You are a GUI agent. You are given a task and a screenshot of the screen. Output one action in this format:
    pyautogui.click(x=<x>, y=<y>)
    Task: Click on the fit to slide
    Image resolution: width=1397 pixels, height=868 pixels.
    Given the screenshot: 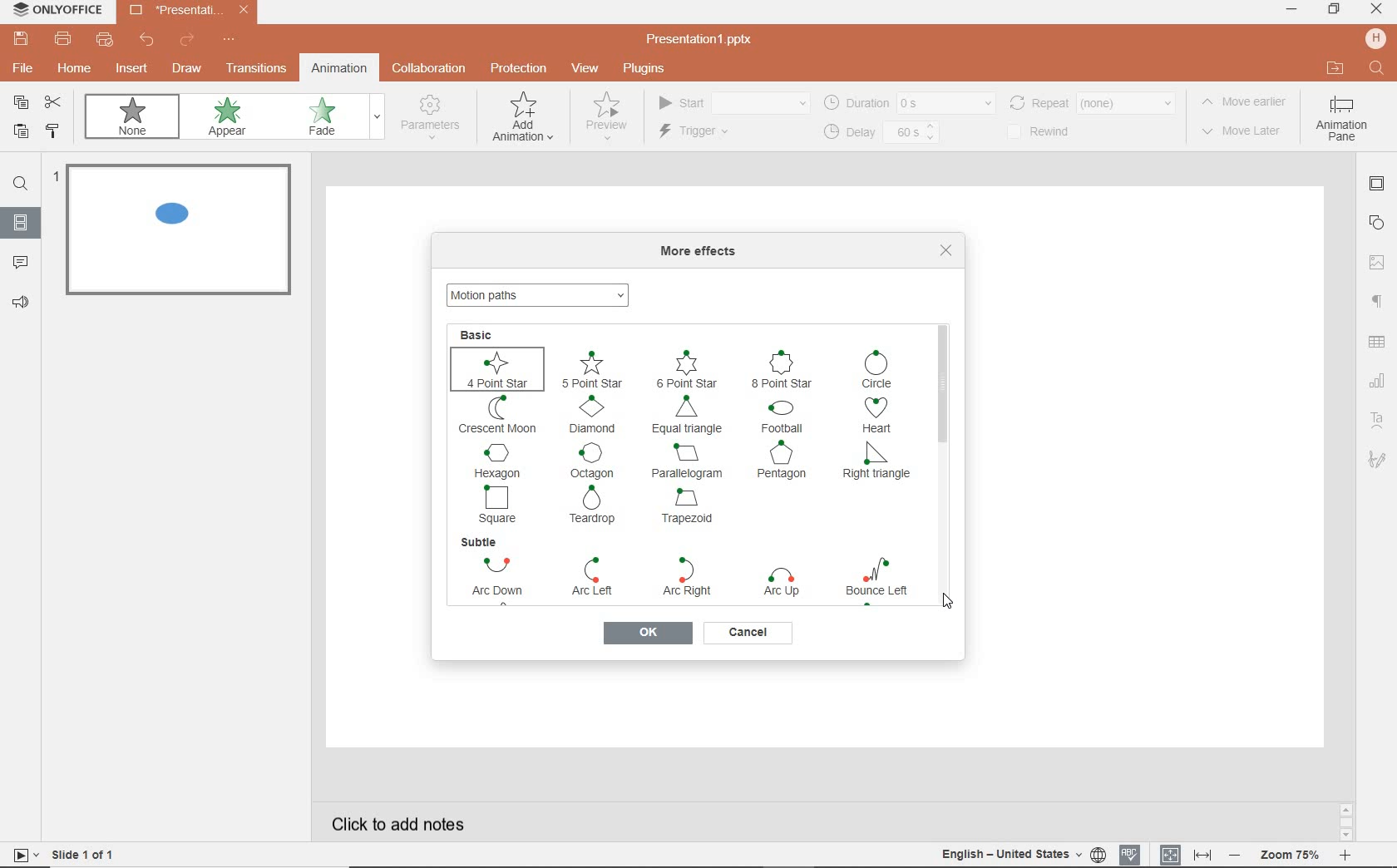 What is the action you would take?
    pyautogui.click(x=1171, y=851)
    